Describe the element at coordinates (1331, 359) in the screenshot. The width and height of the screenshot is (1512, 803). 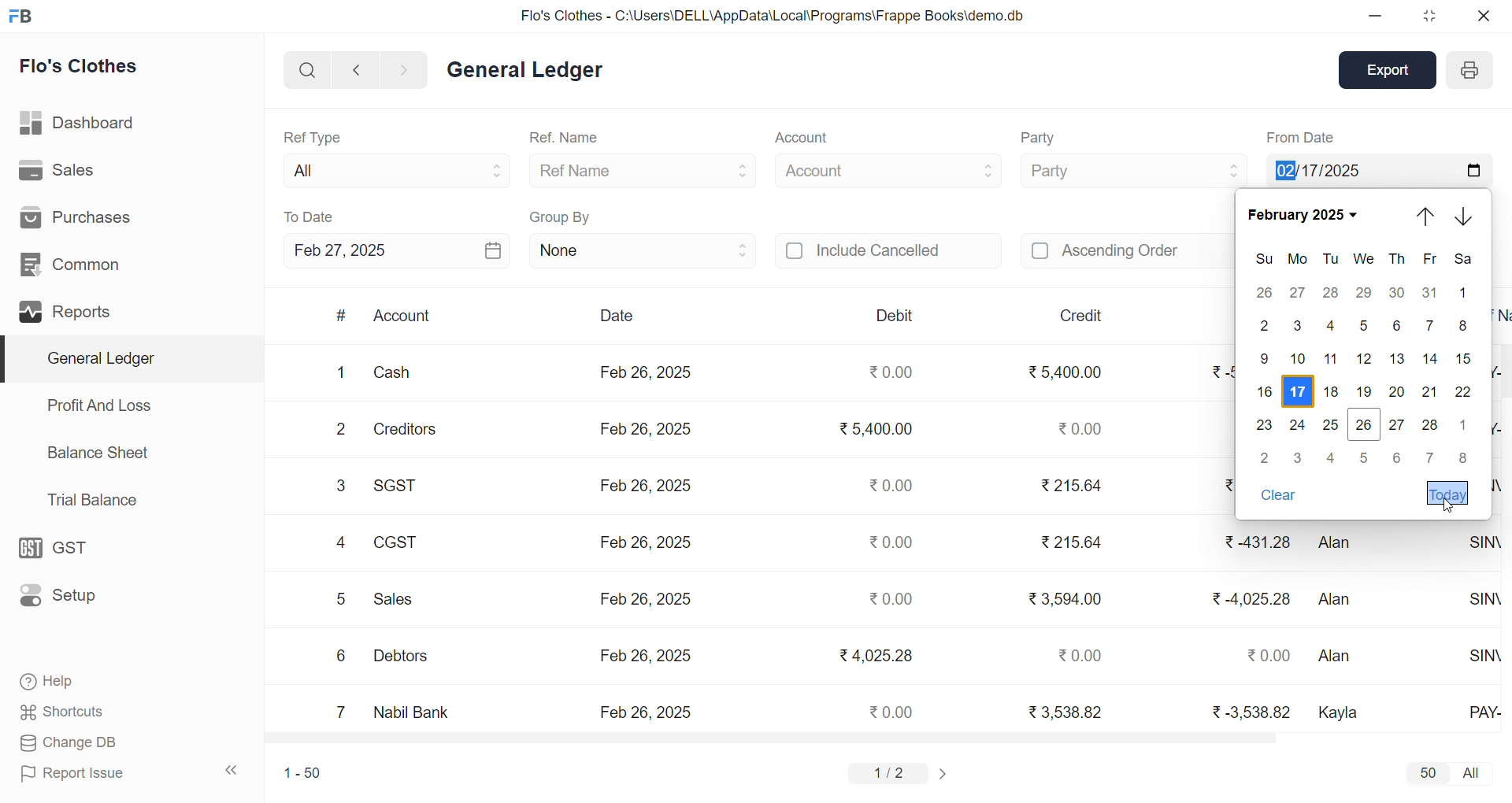
I see `11` at that location.